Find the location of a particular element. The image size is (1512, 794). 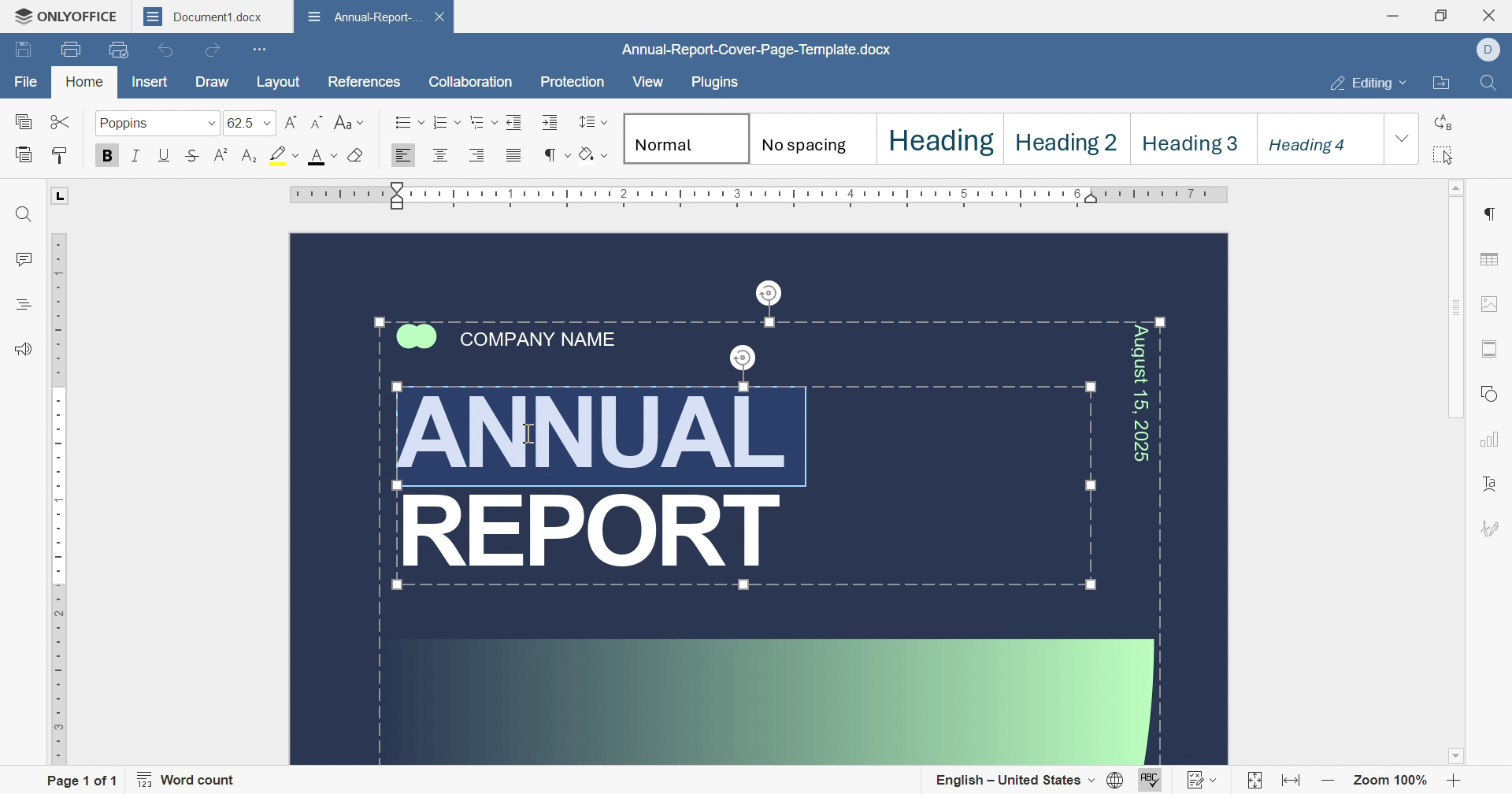

protection is located at coordinates (571, 86).